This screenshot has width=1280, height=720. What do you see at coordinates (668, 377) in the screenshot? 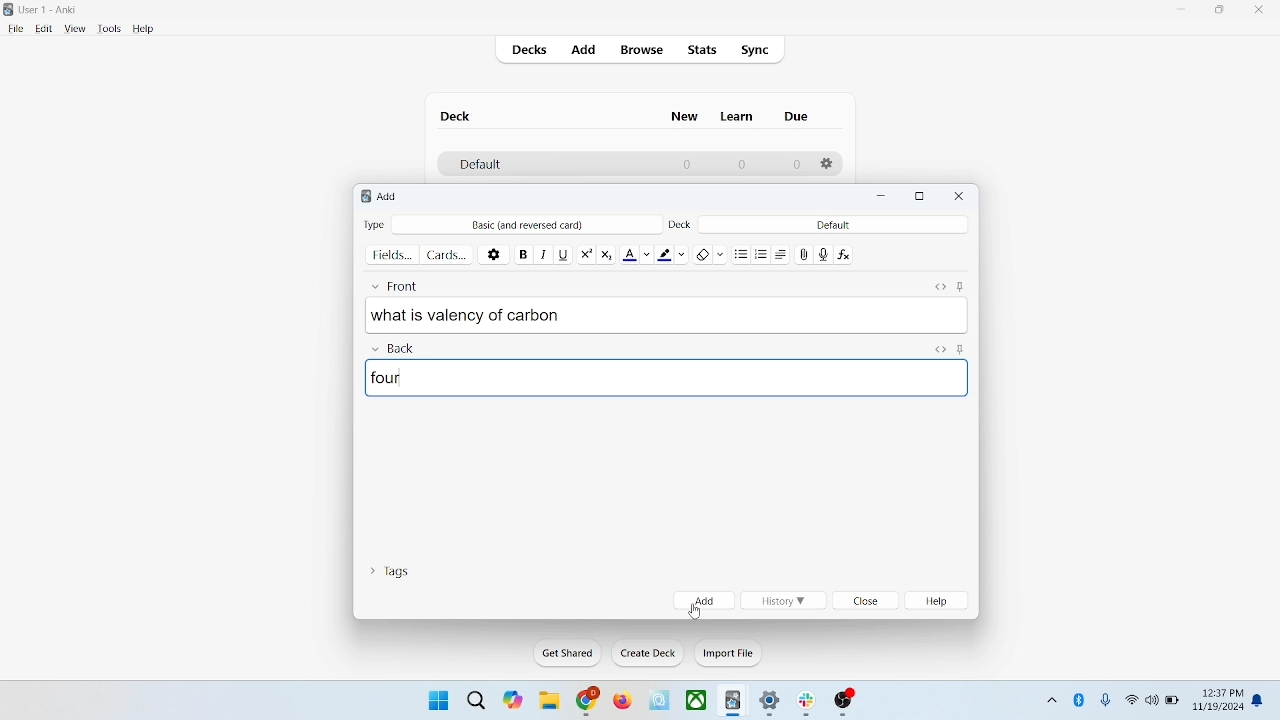
I see `four` at bounding box center [668, 377].